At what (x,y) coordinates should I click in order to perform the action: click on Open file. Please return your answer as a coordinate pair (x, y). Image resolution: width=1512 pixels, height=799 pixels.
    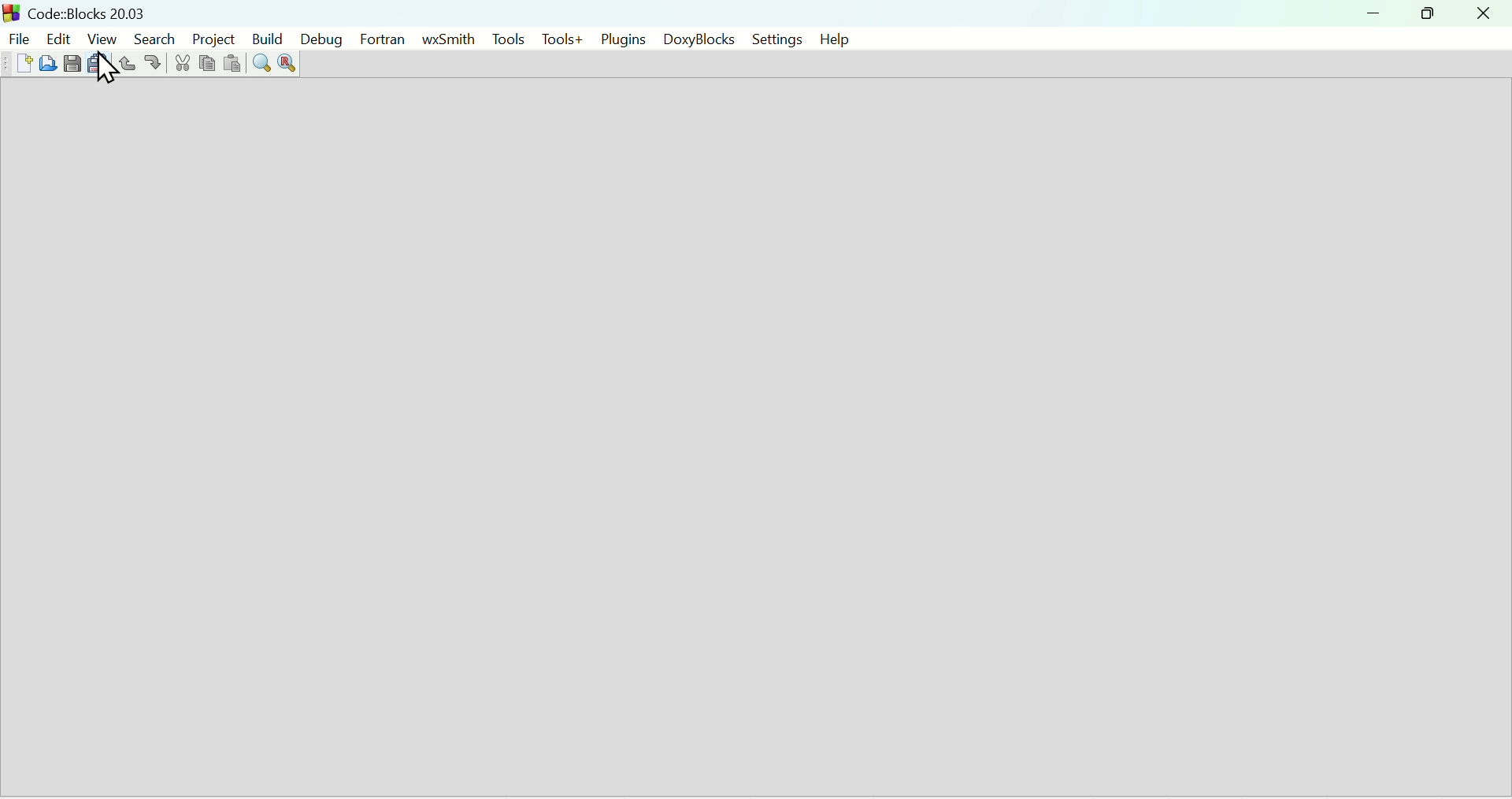
    Looking at the image, I should click on (50, 63).